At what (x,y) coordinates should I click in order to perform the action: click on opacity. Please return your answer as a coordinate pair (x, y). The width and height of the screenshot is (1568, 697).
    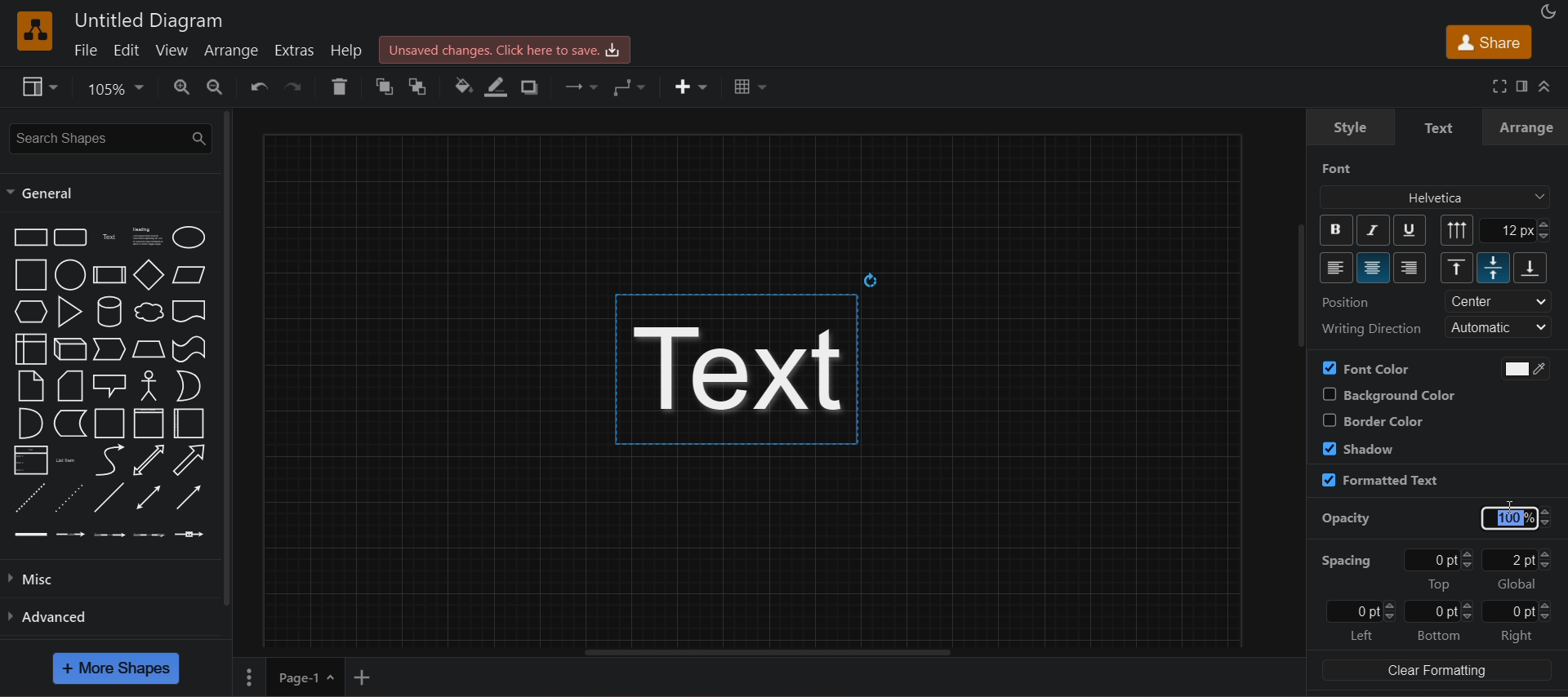
    Looking at the image, I should click on (1347, 519).